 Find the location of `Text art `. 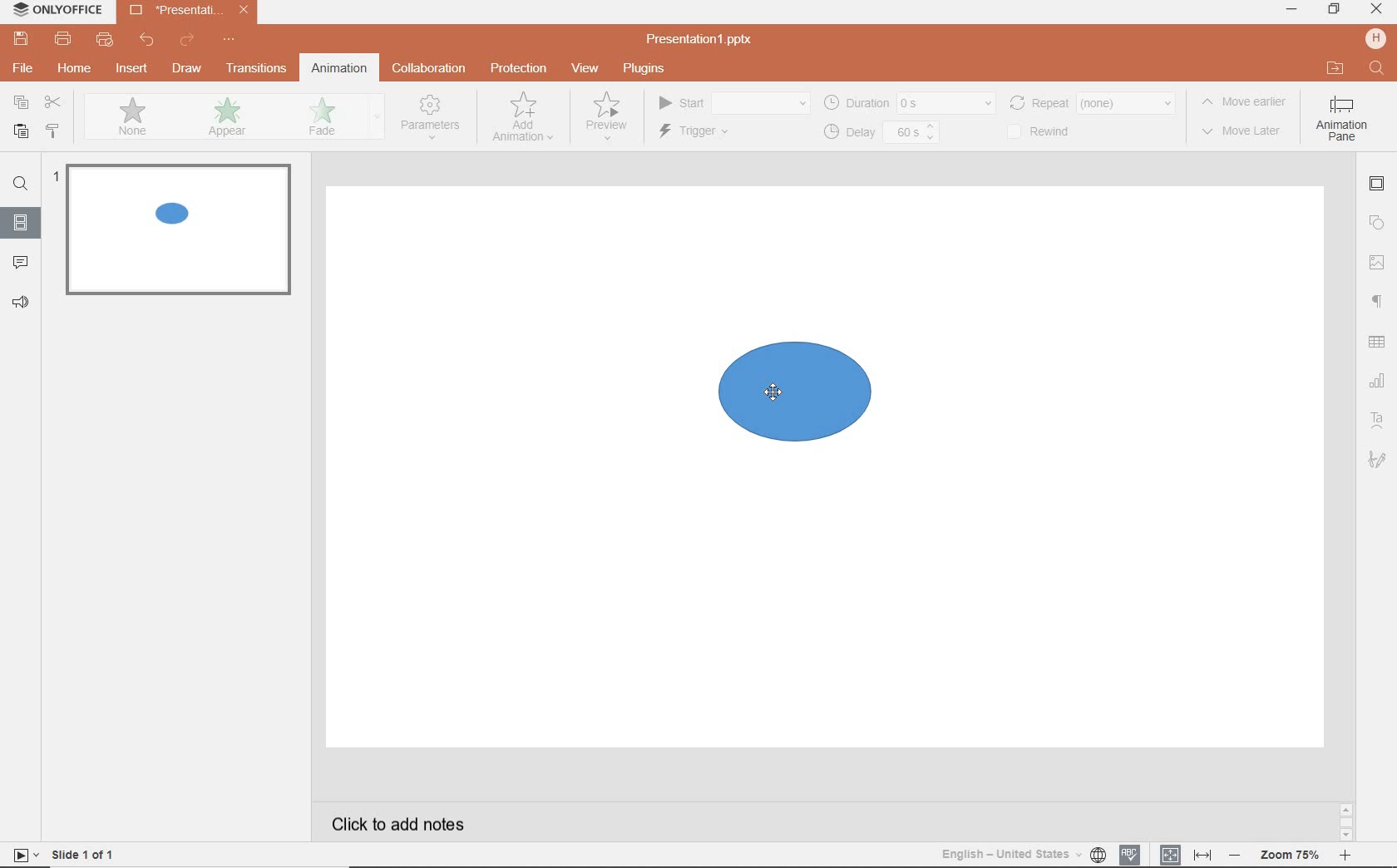

Text art  is located at coordinates (1375, 418).